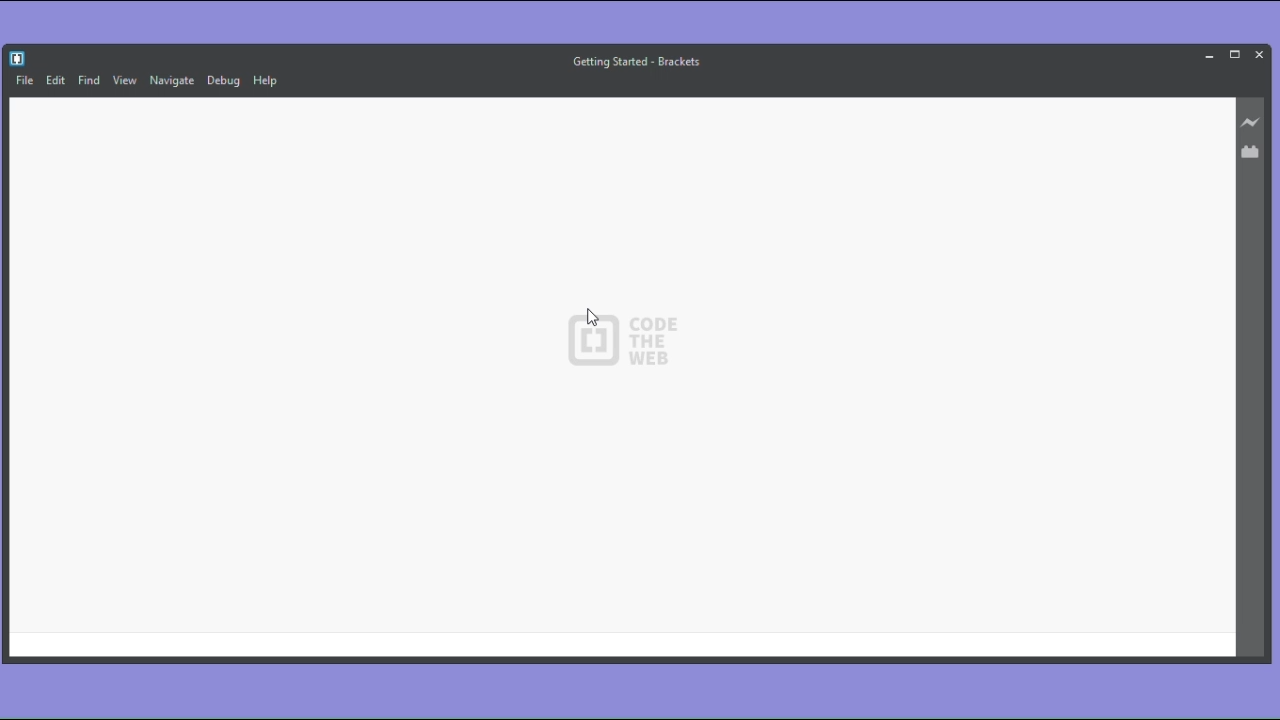 The height and width of the screenshot is (720, 1280). Describe the element at coordinates (19, 57) in the screenshot. I see `Brackets icon` at that location.